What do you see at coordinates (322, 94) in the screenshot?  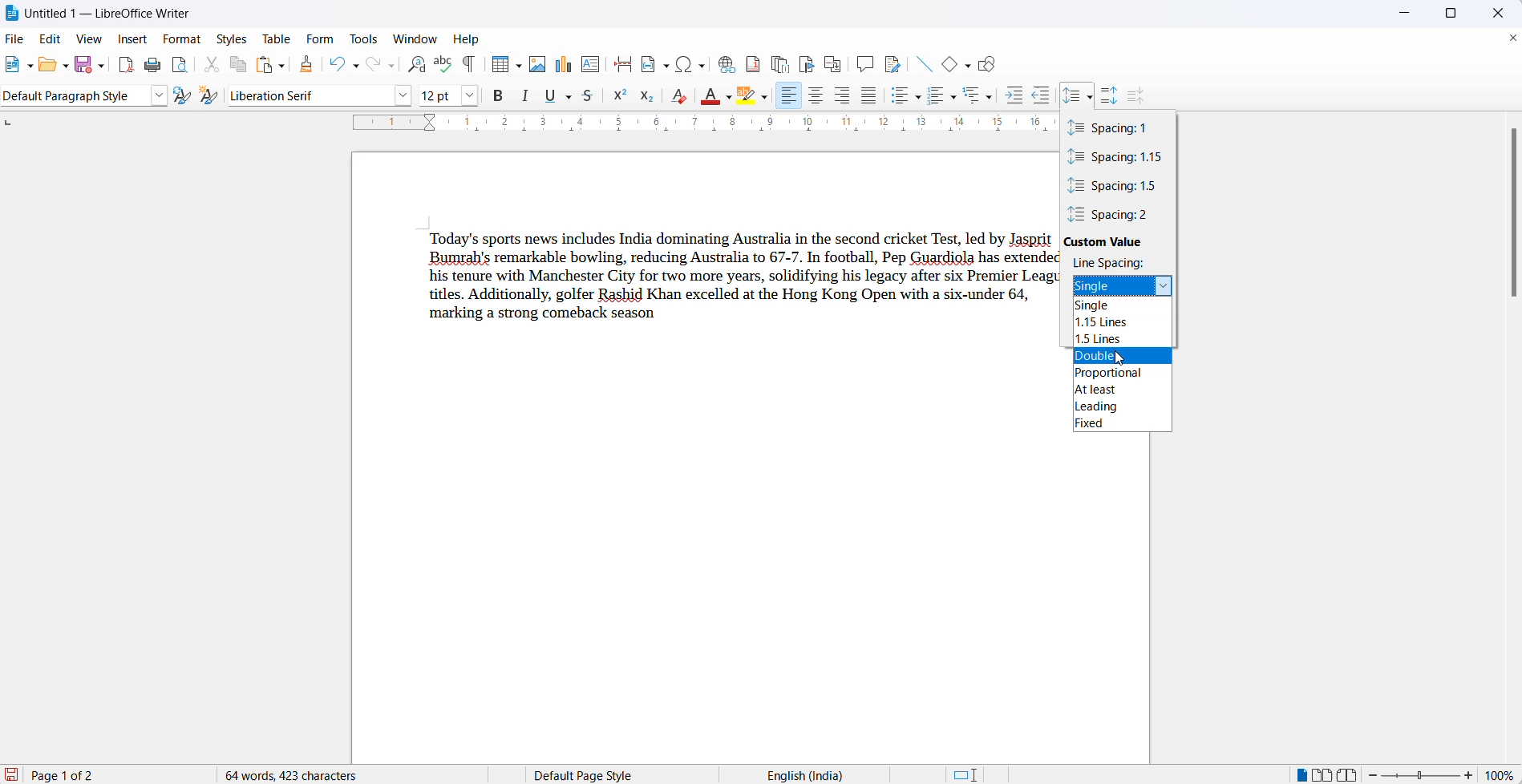 I see `liberation serif` at bounding box center [322, 94].